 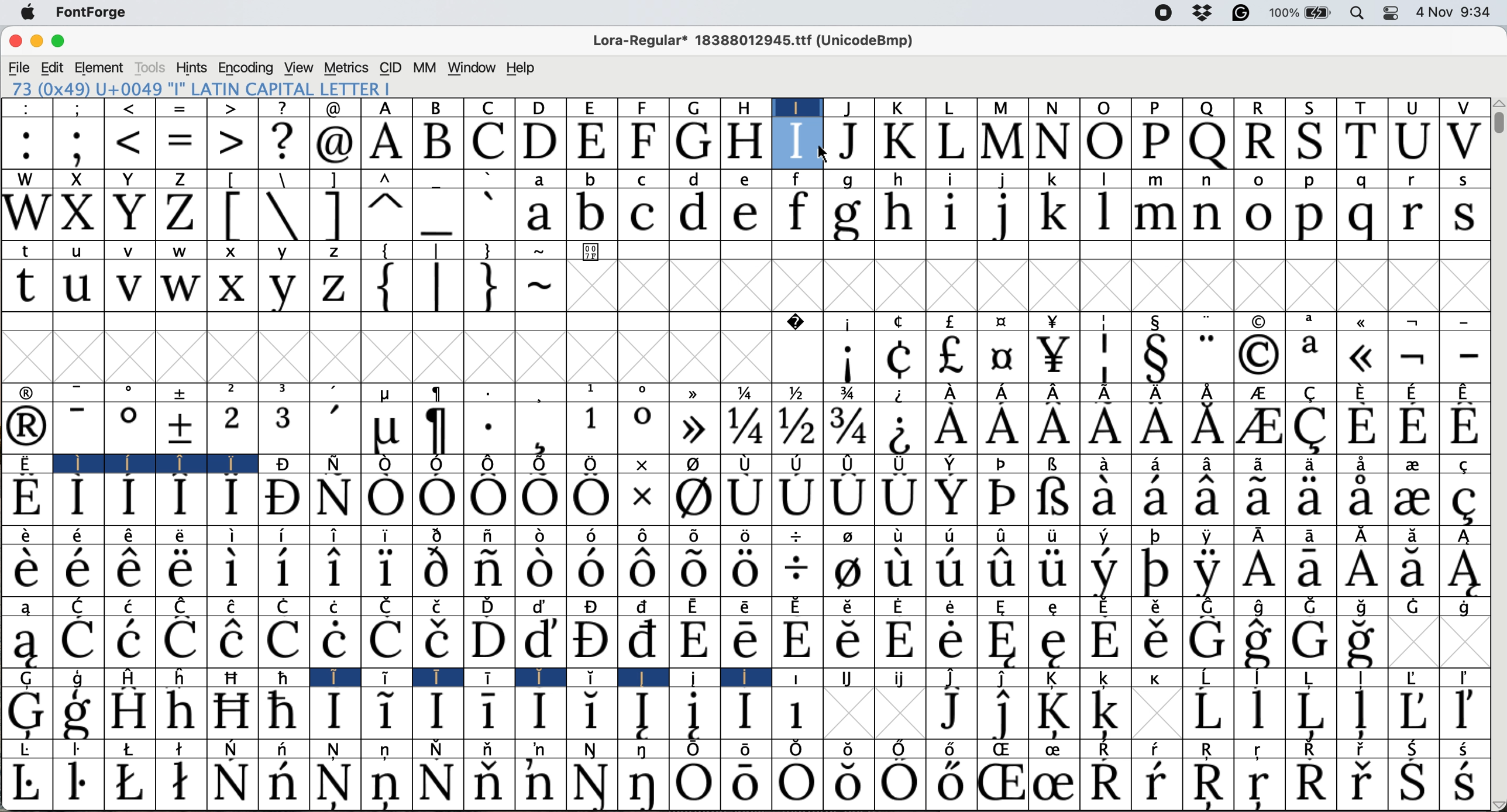 What do you see at coordinates (1002, 321) in the screenshot?
I see `symbol` at bounding box center [1002, 321].